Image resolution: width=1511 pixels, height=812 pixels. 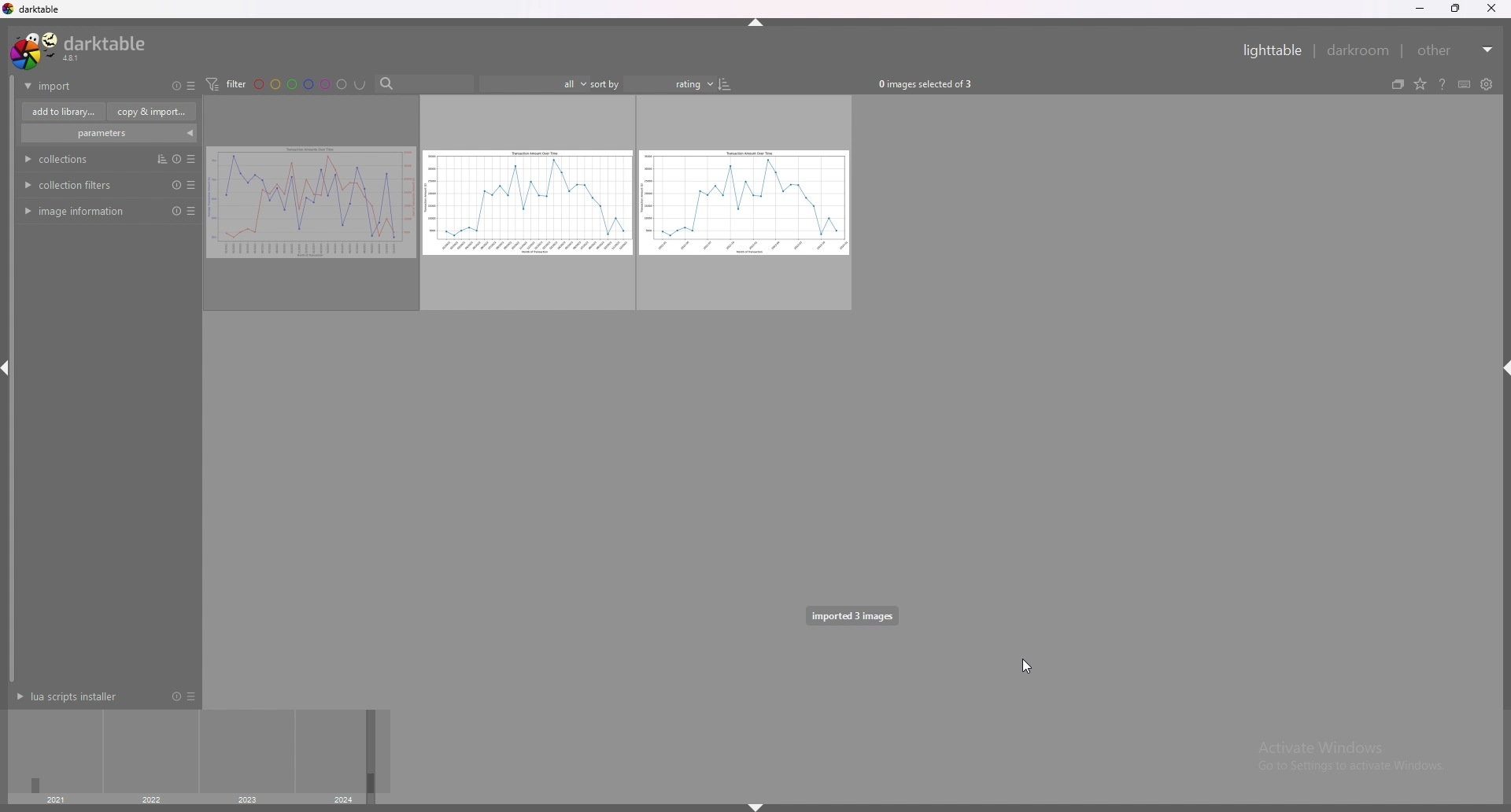 I want to click on presets, so click(x=190, y=86).